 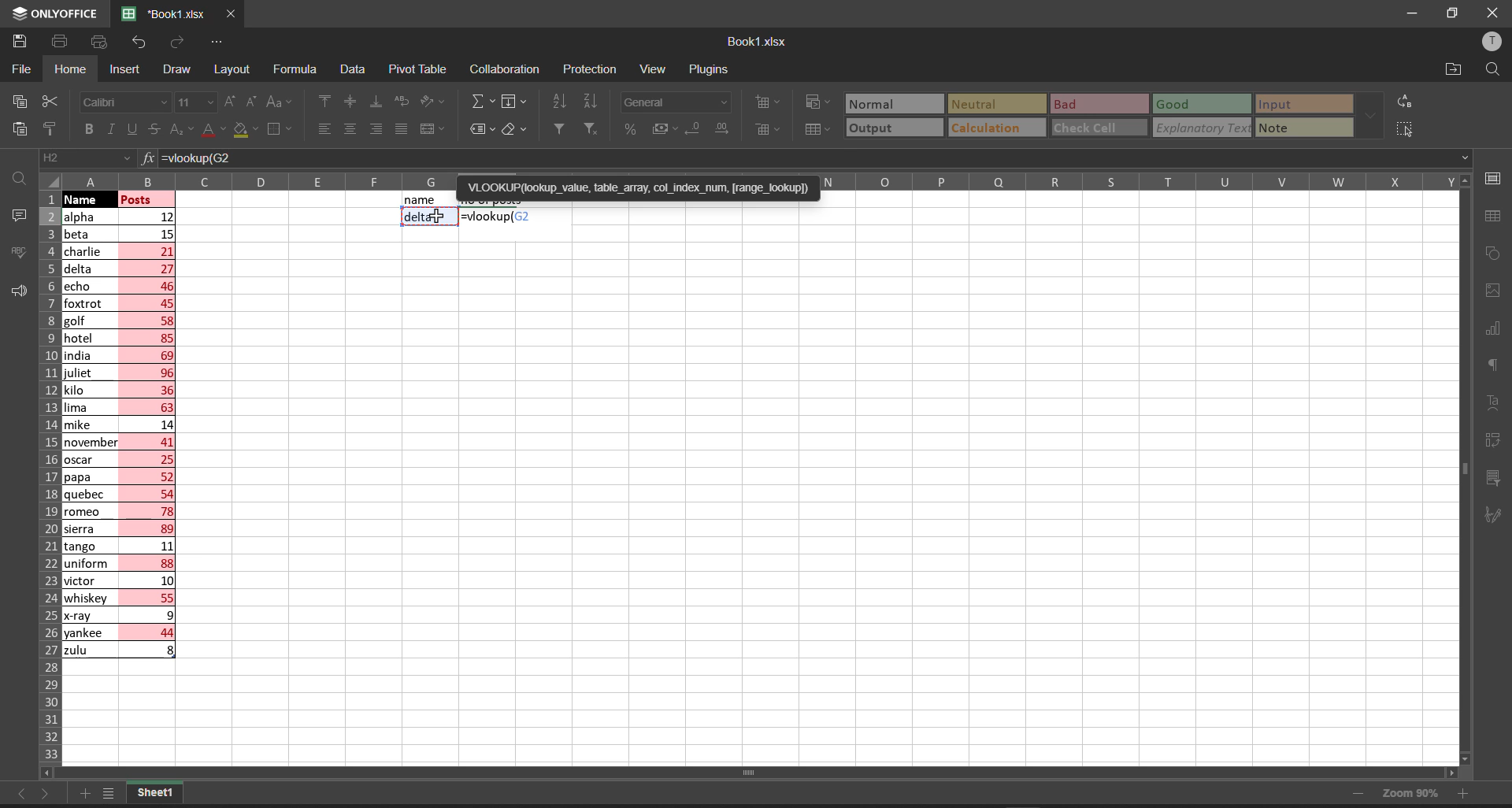 What do you see at coordinates (88, 129) in the screenshot?
I see `bold` at bounding box center [88, 129].